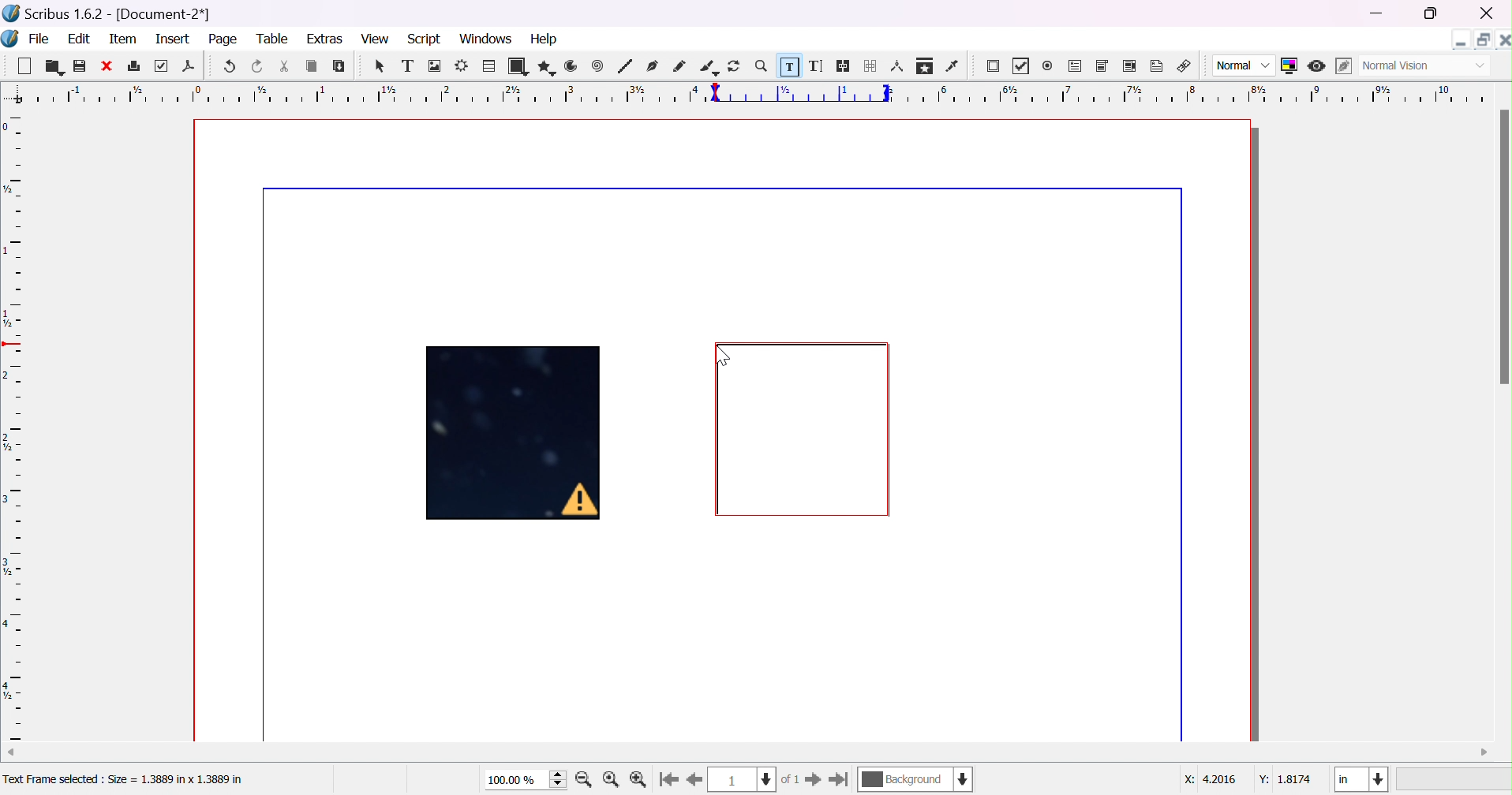 The width and height of the screenshot is (1512, 795). I want to click on text annotation, so click(1158, 64).